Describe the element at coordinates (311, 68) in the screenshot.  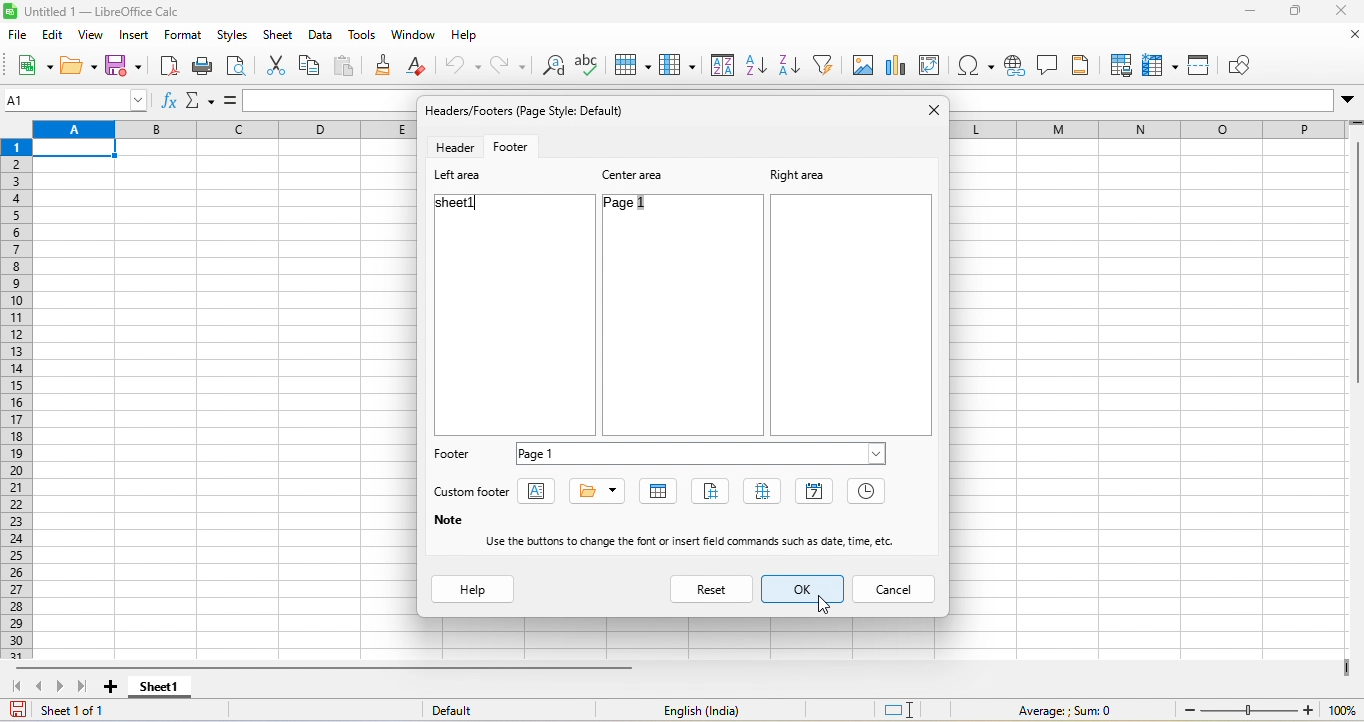
I see `copy` at that location.